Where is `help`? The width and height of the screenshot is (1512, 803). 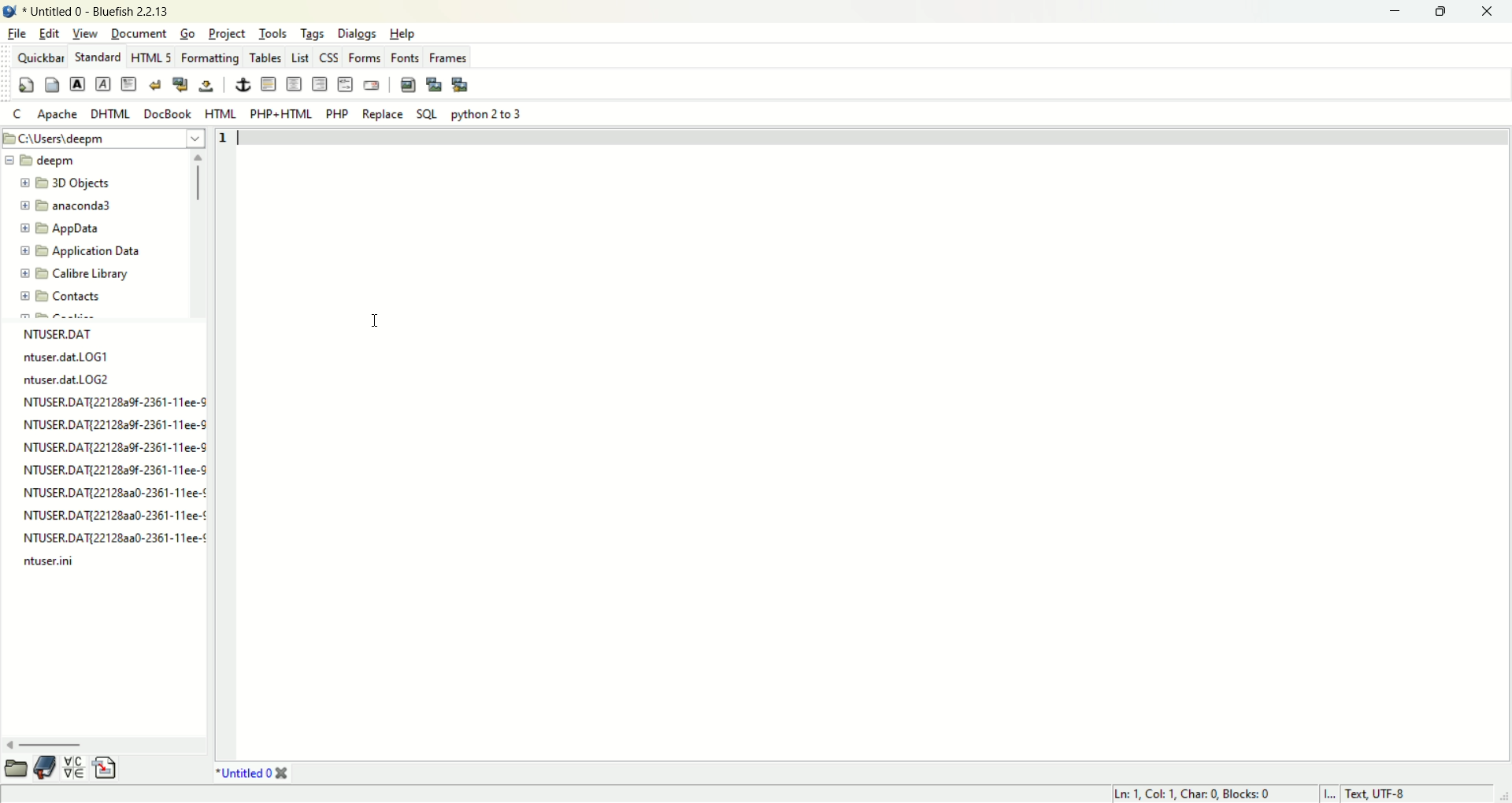
help is located at coordinates (402, 34).